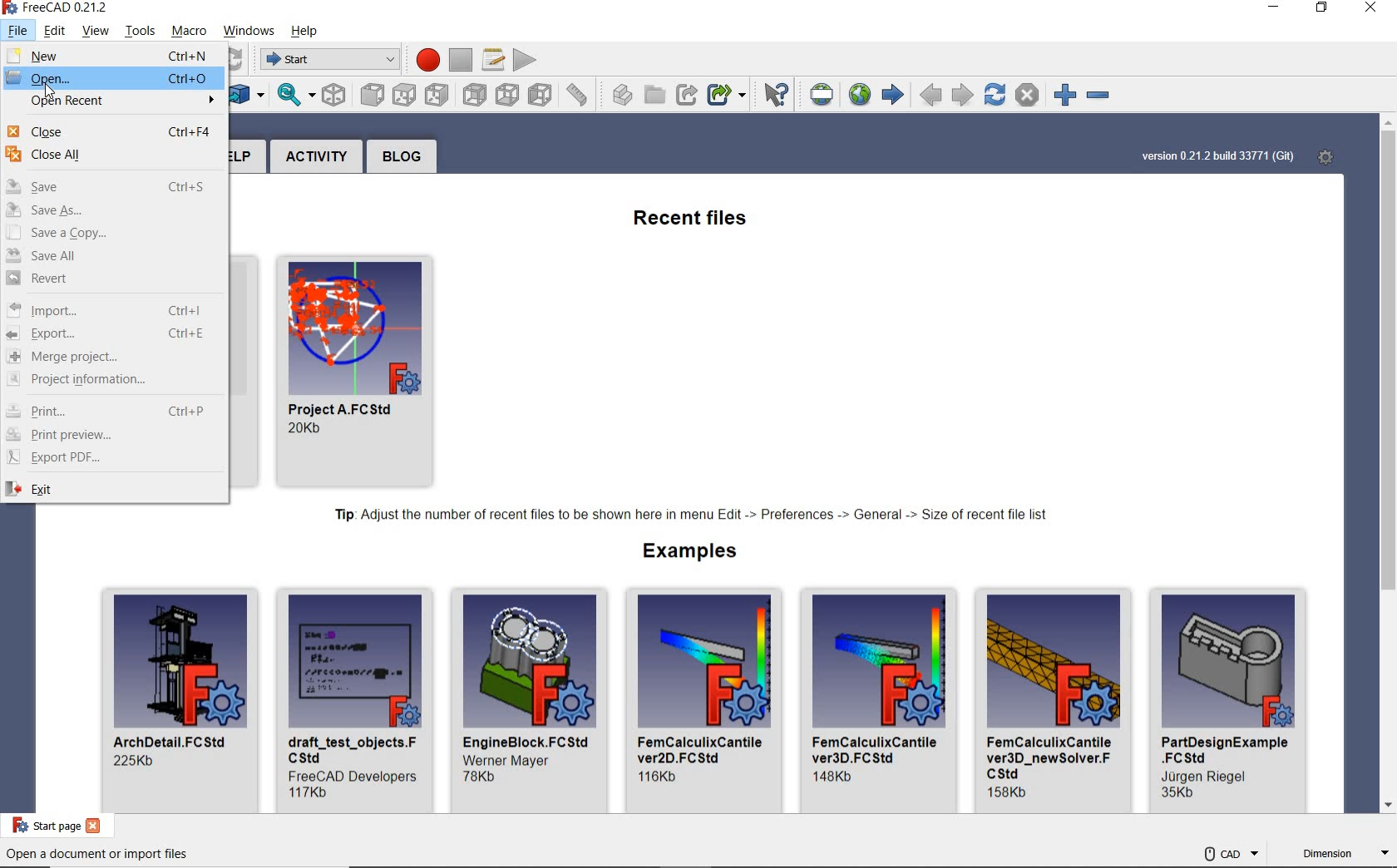 The height and width of the screenshot is (868, 1397). Describe the element at coordinates (97, 855) in the screenshot. I see `open a document or import files` at that location.